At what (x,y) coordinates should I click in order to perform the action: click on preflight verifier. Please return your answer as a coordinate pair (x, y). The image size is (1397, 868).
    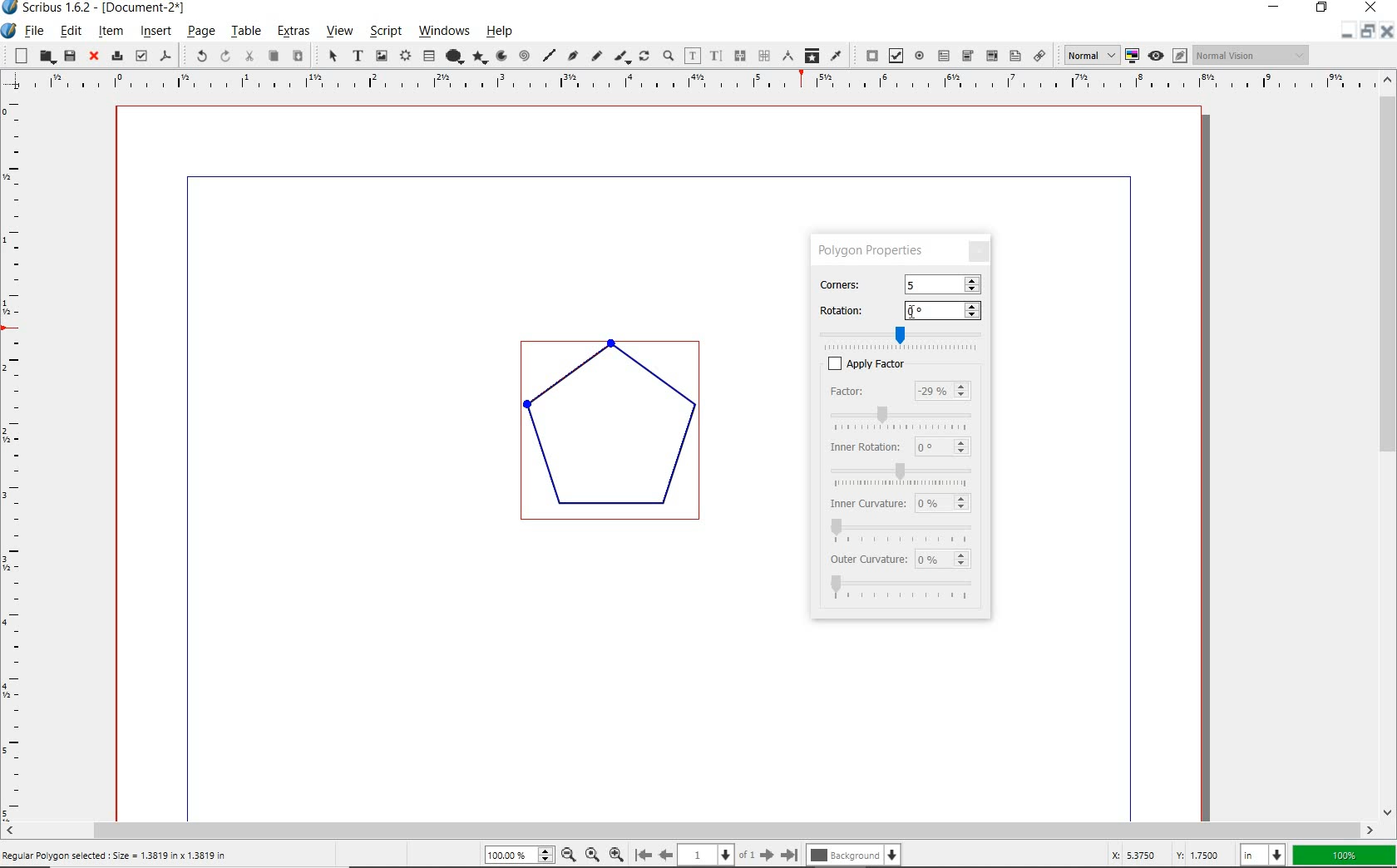
    Looking at the image, I should click on (141, 55).